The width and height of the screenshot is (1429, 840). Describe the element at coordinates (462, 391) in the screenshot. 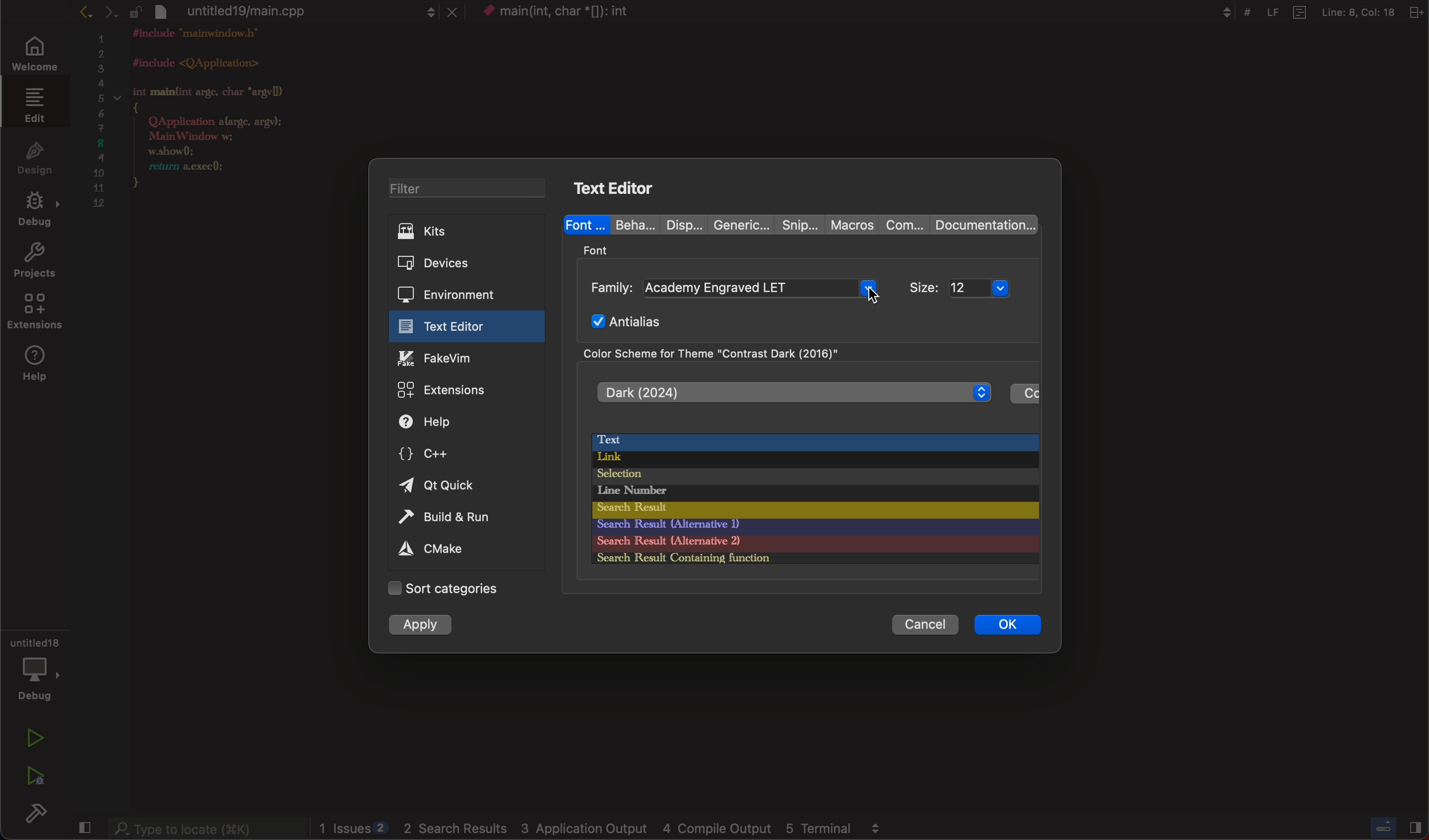

I see `extensions` at that location.